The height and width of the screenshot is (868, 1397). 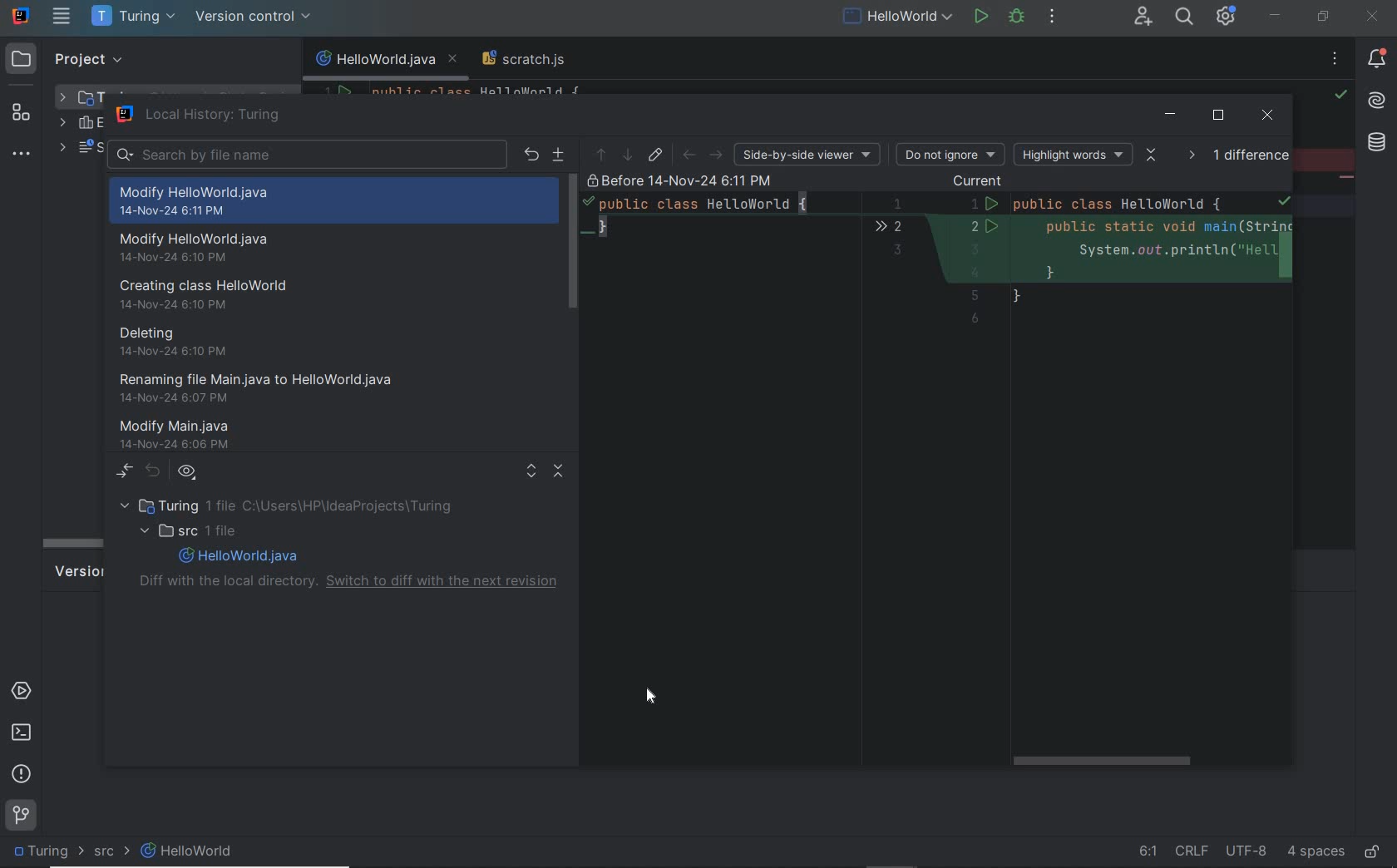 What do you see at coordinates (19, 690) in the screenshot?
I see `services` at bounding box center [19, 690].